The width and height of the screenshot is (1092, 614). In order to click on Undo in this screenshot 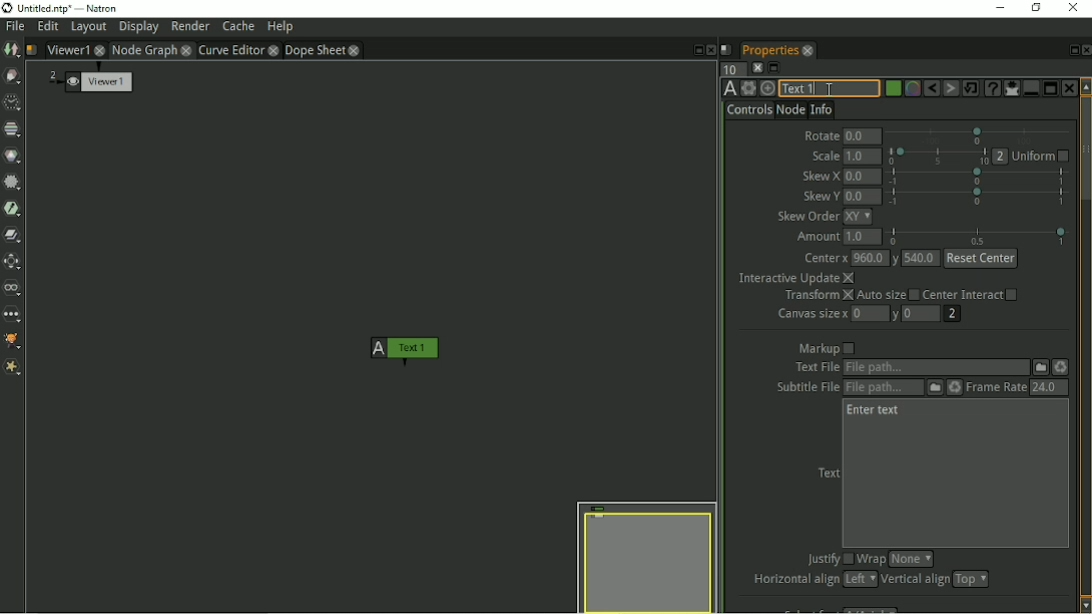, I will do `click(931, 88)`.